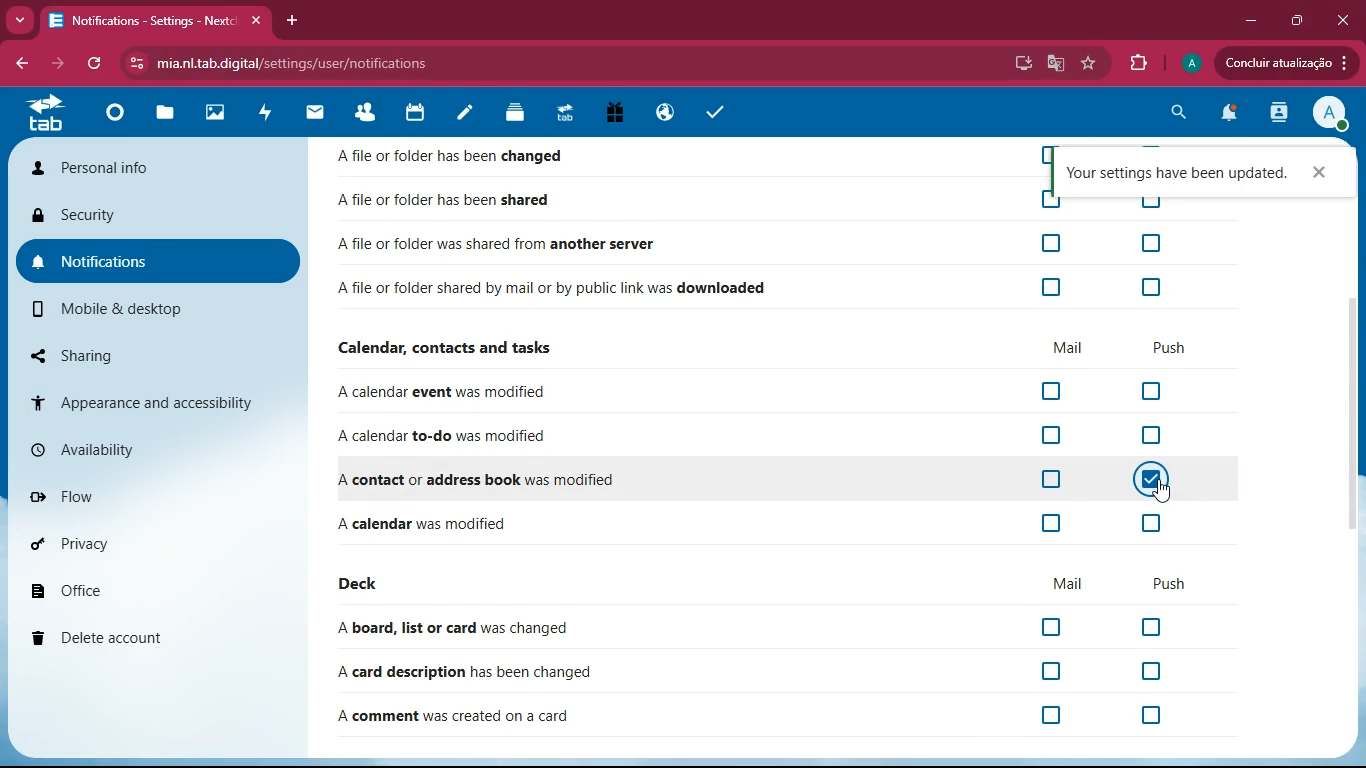  What do you see at coordinates (98, 64) in the screenshot?
I see `refresh` at bounding box center [98, 64].